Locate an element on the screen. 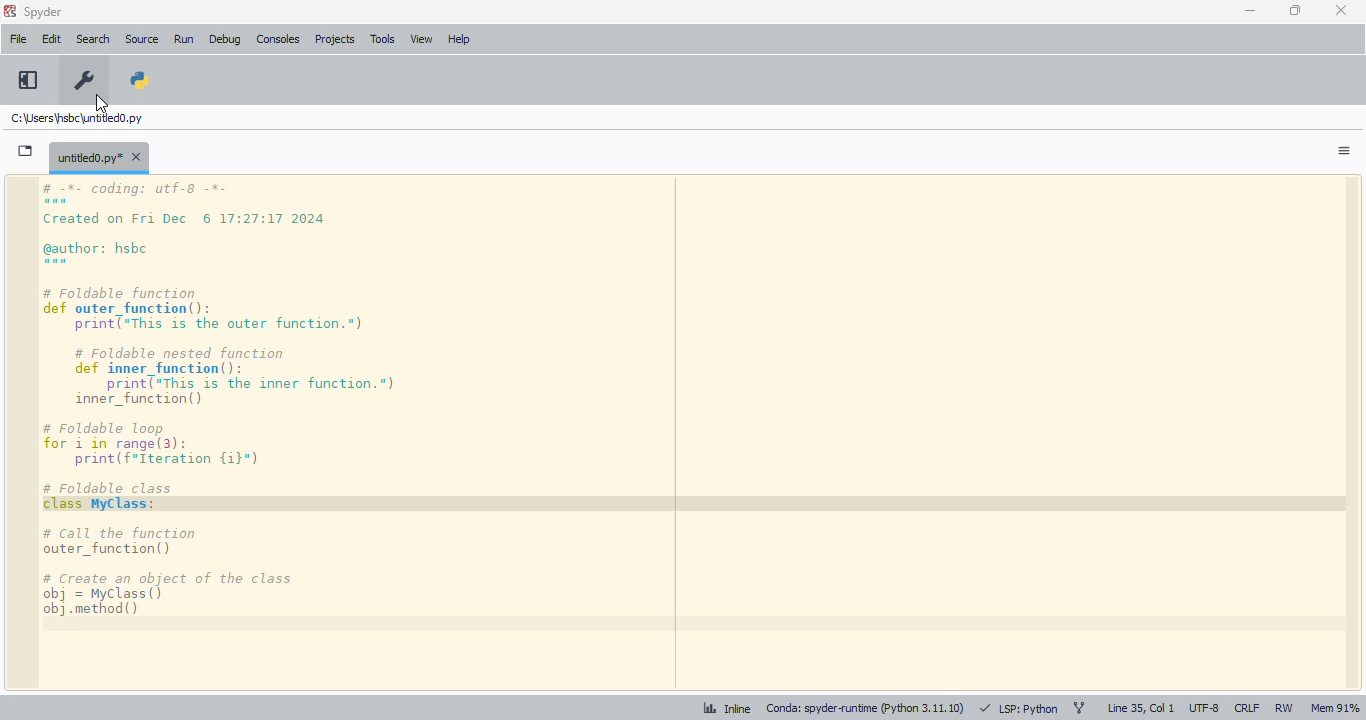 The image size is (1366, 720). search is located at coordinates (93, 39).